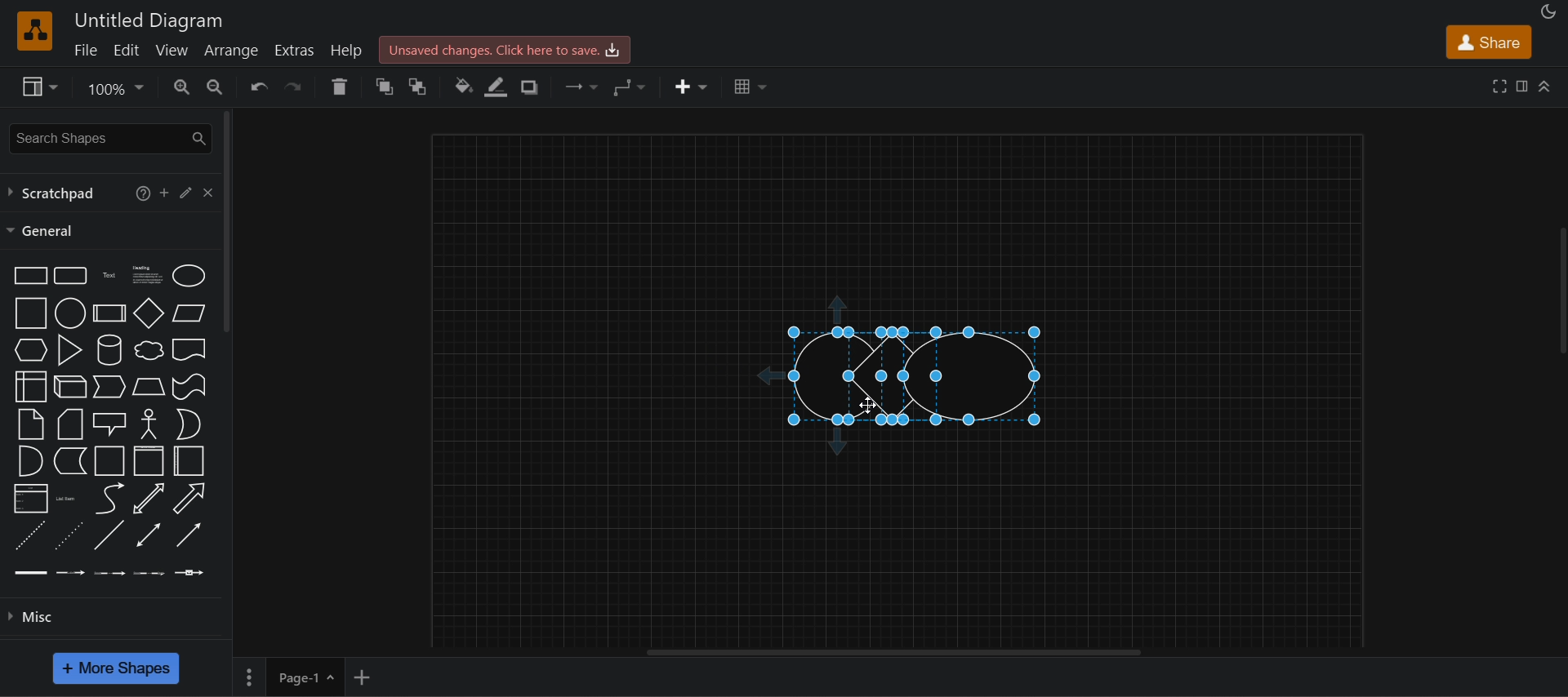  I want to click on Data storage, so click(69, 460).